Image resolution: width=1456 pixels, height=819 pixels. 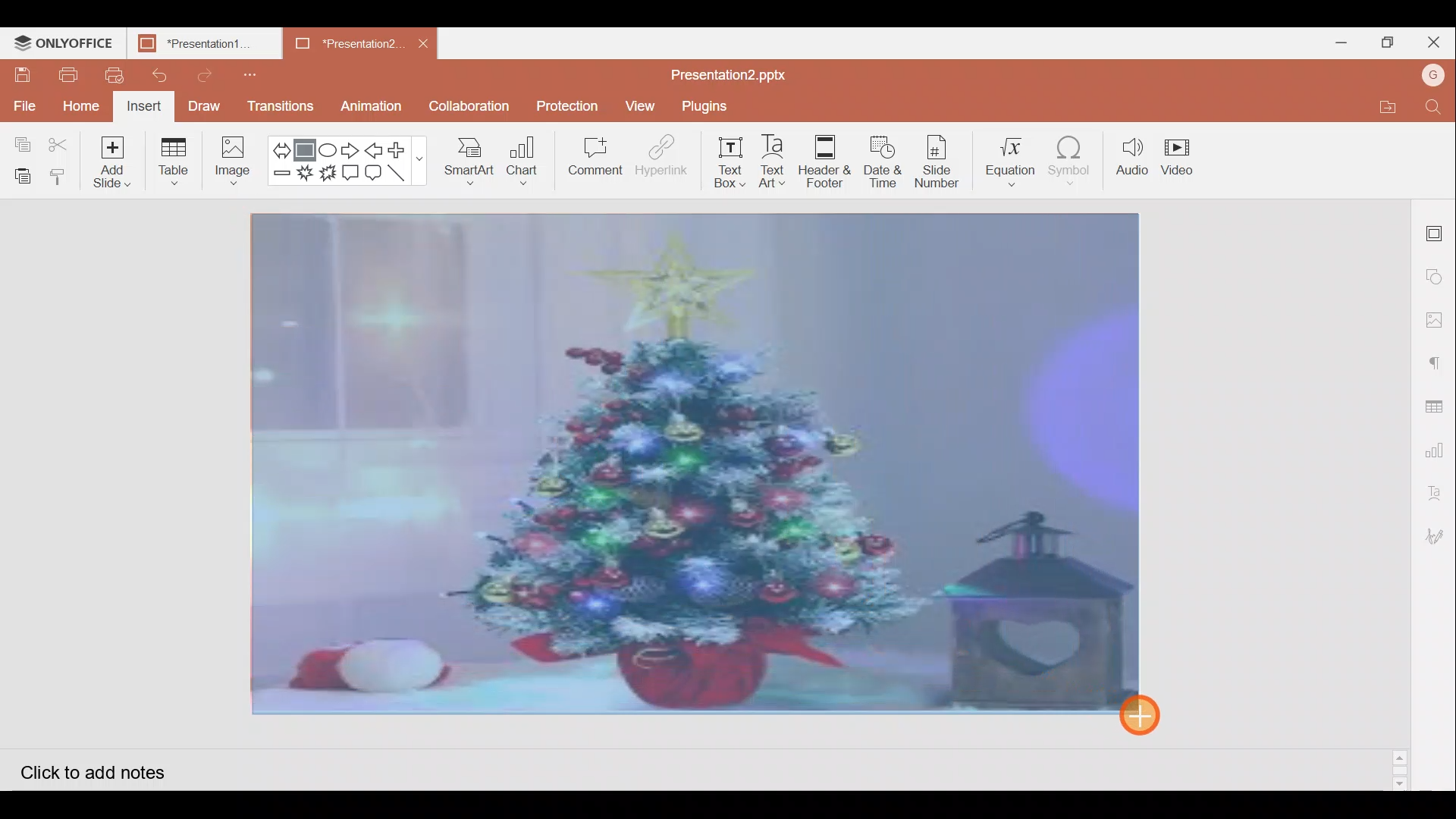 What do you see at coordinates (422, 42) in the screenshot?
I see `Close document` at bounding box center [422, 42].